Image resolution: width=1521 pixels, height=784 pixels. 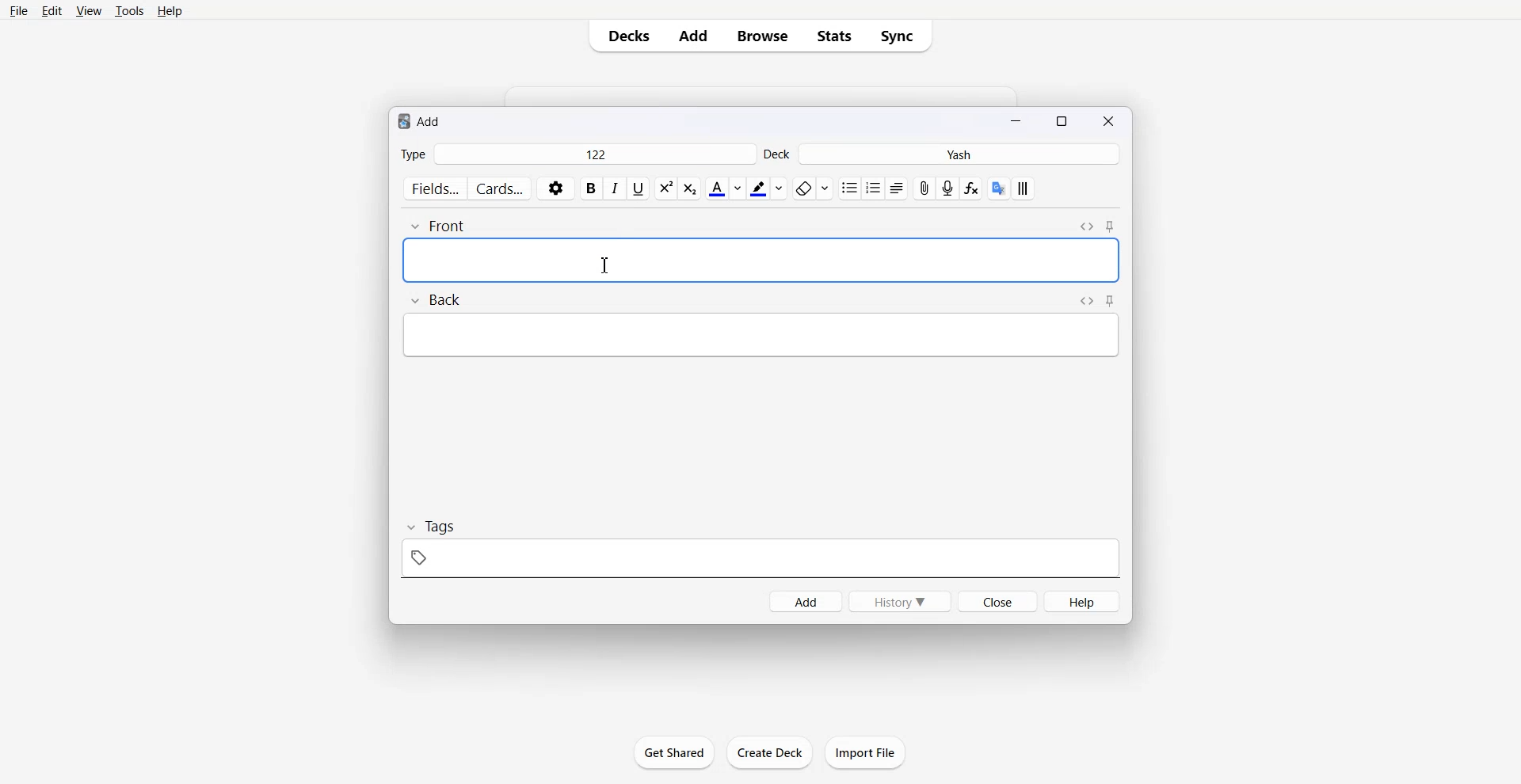 I want to click on Italic, so click(x=616, y=188).